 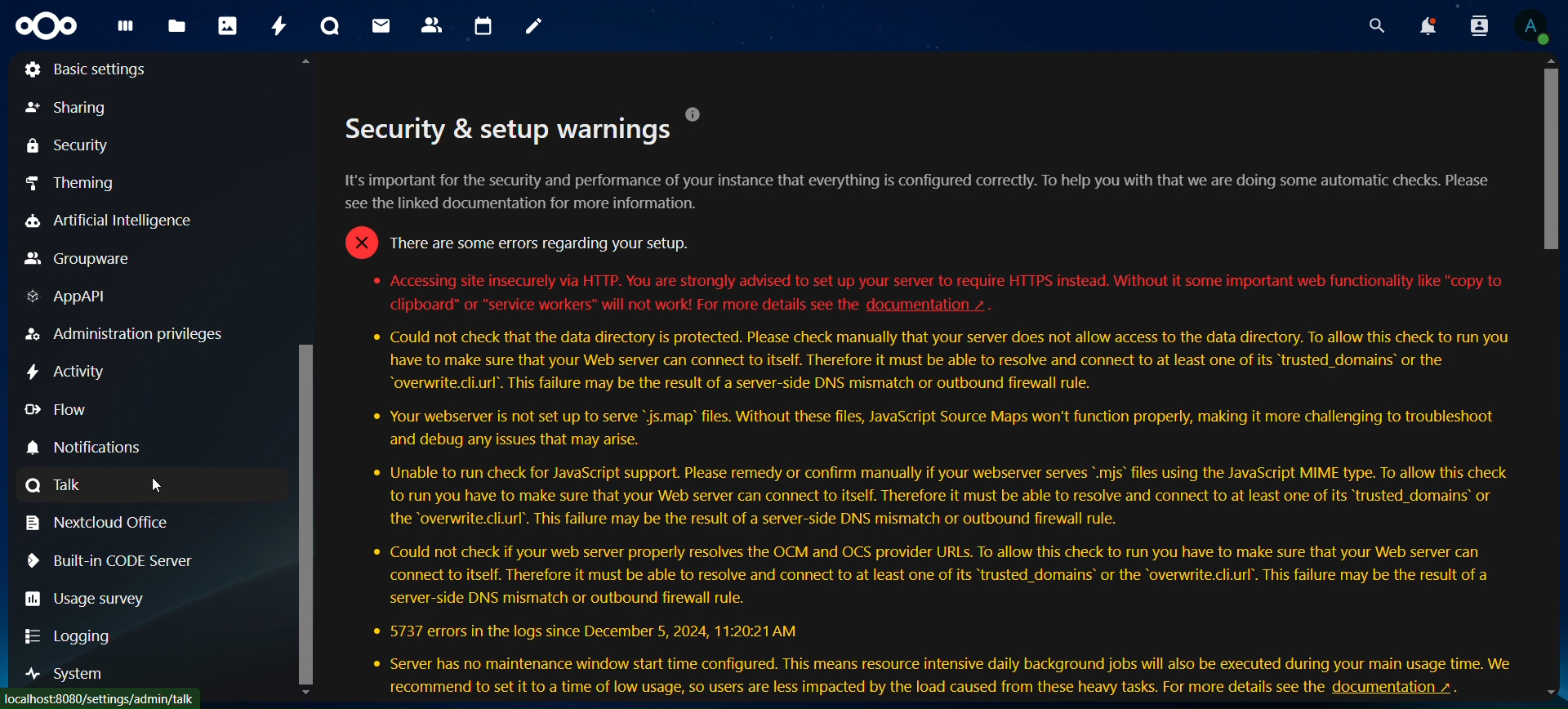 What do you see at coordinates (332, 26) in the screenshot?
I see `talk` at bounding box center [332, 26].